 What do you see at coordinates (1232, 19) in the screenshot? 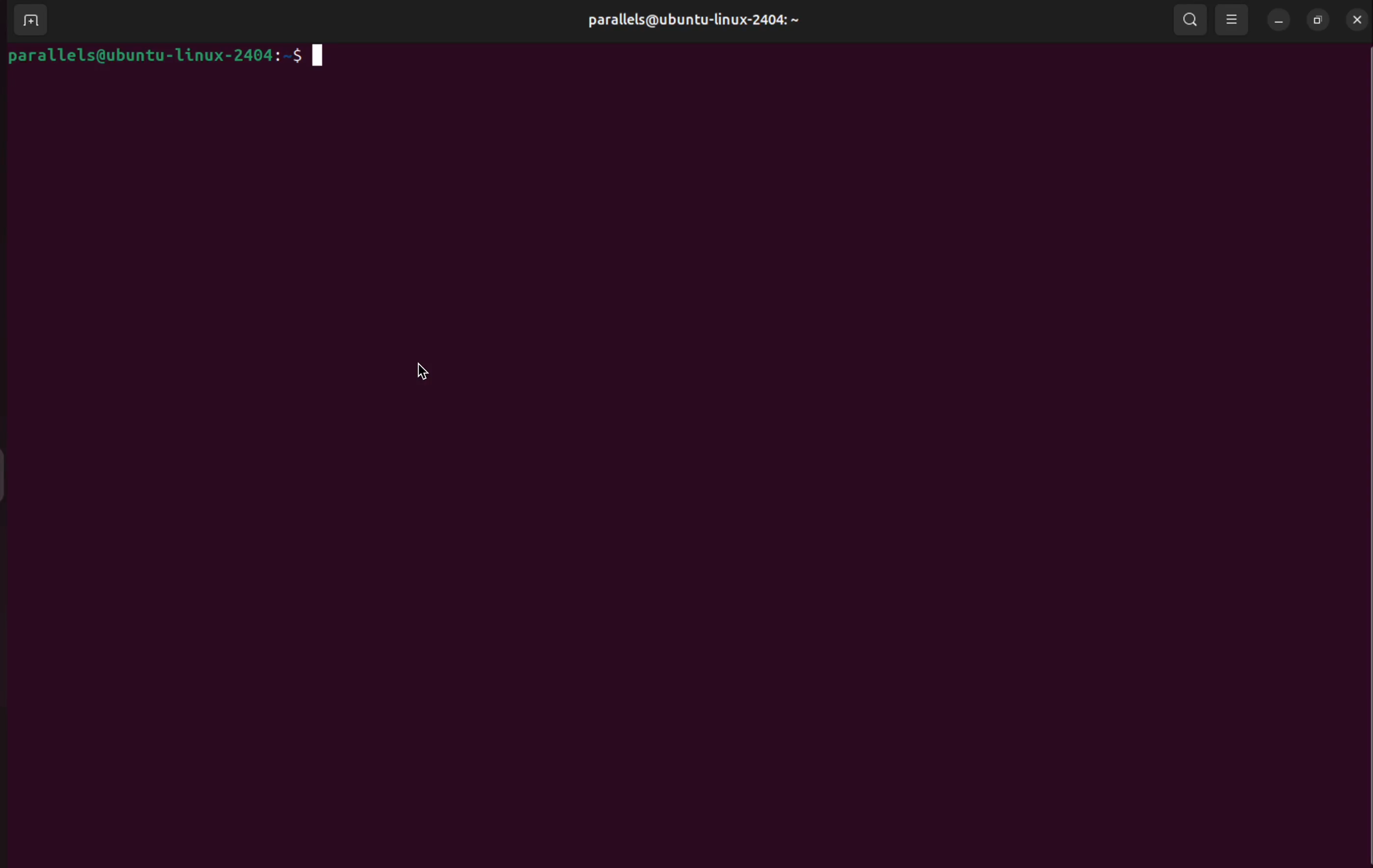
I see `view point` at bounding box center [1232, 19].